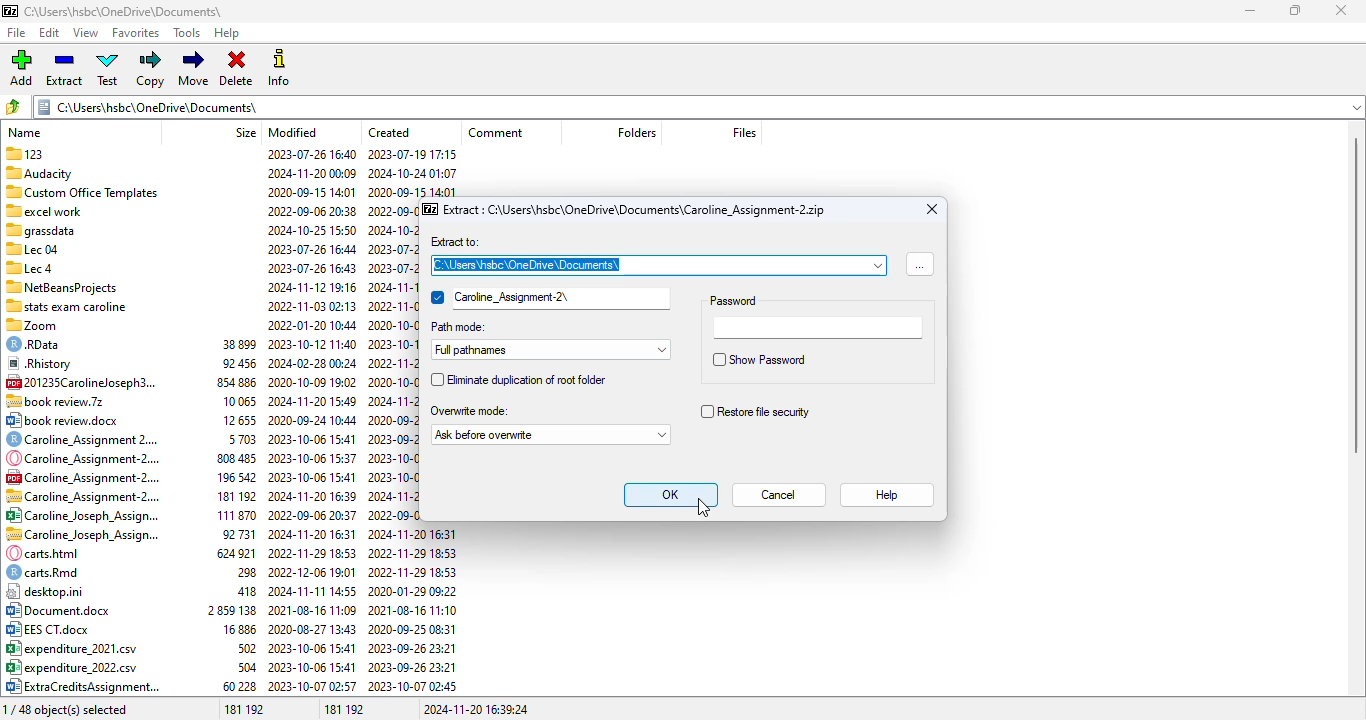  What do you see at coordinates (228, 34) in the screenshot?
I see `help` at bounding box center [228, 34].